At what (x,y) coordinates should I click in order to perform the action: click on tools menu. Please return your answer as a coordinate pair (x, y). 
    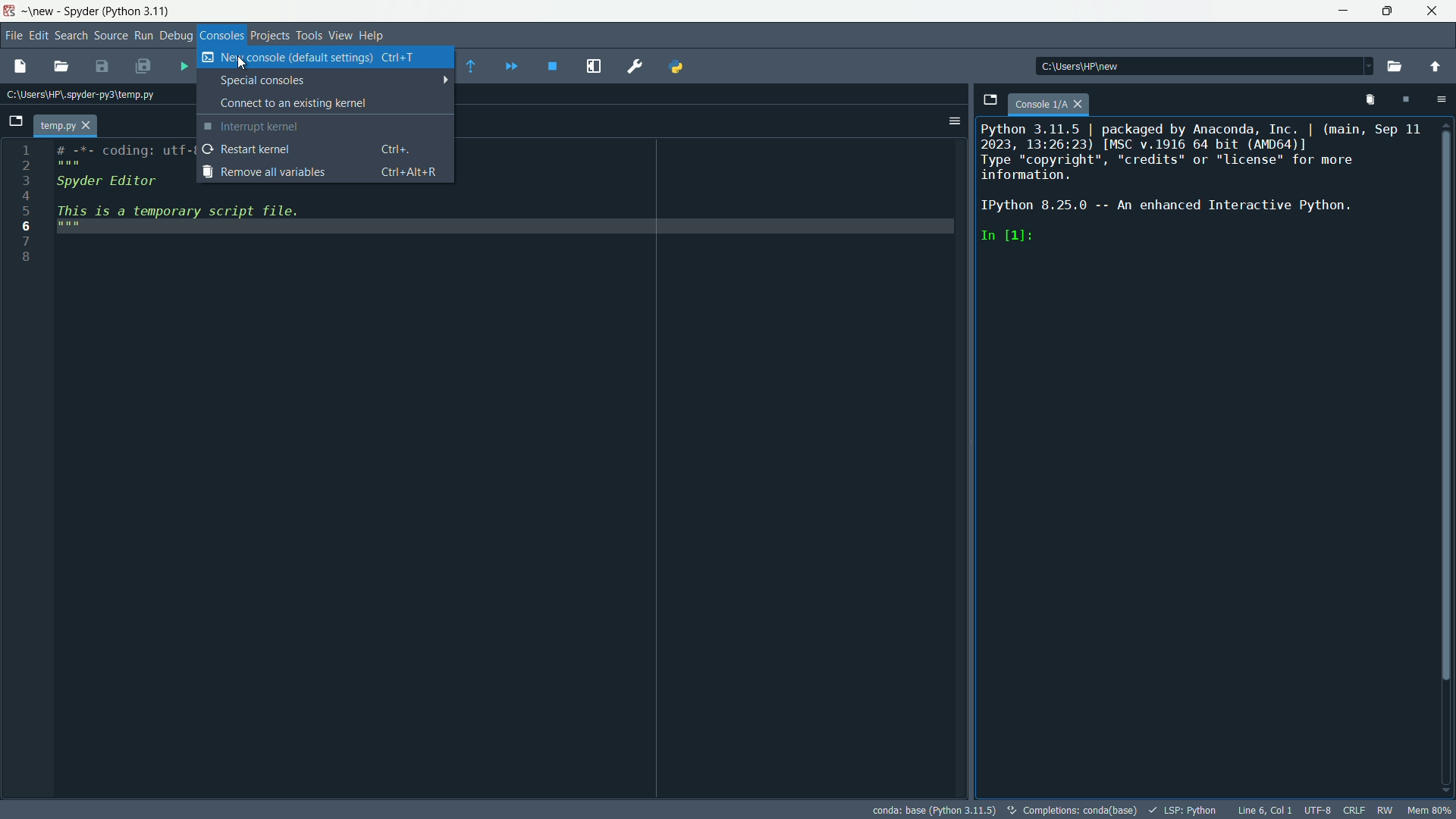
    Looking at the image, I should click on (309, 36).